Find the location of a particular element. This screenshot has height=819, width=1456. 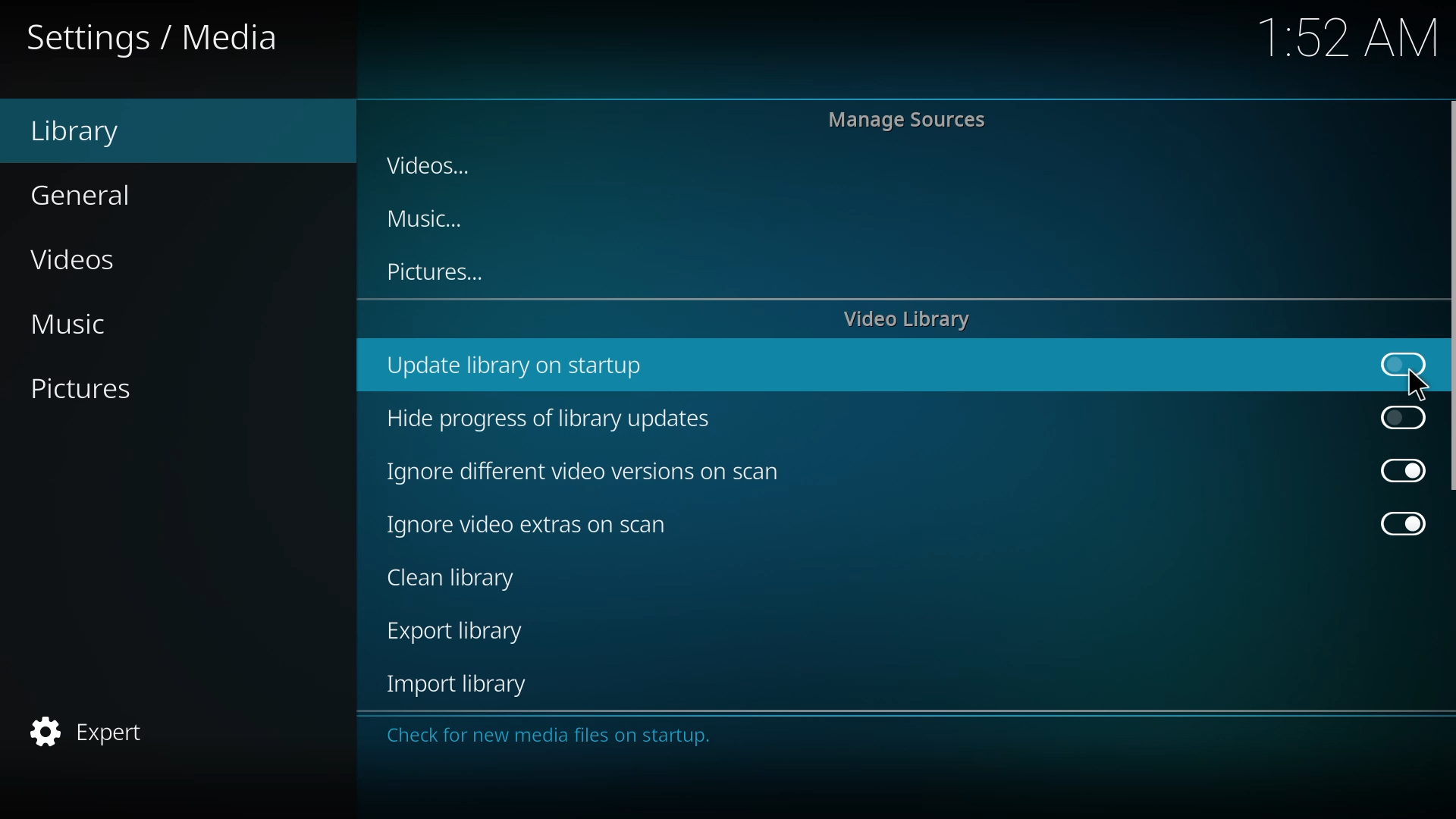

export library is located at coordinates (460, 632).